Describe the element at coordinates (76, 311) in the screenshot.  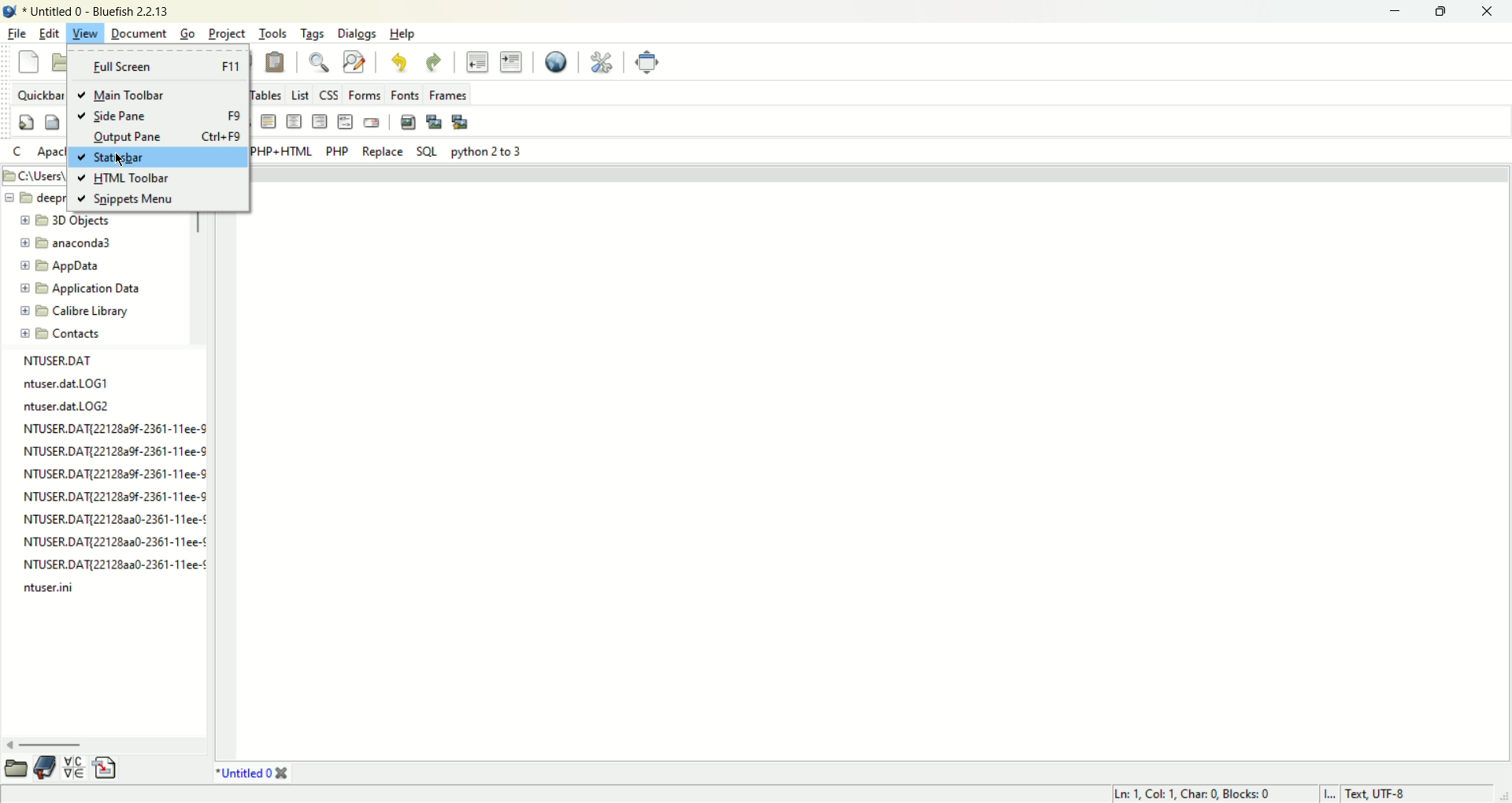
I see `Calibre  Library` at that location.